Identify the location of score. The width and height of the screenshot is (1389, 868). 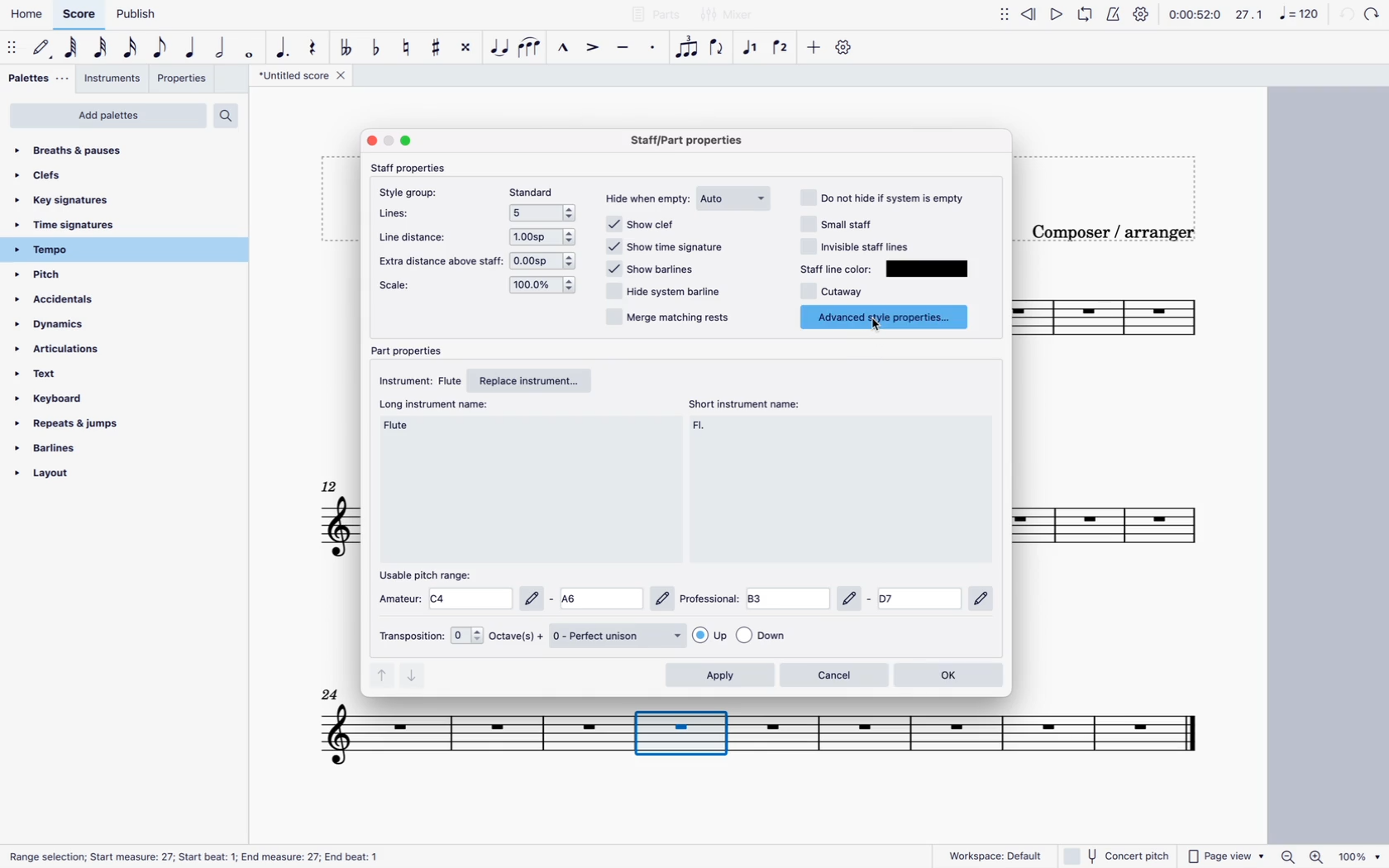
(81, 13).